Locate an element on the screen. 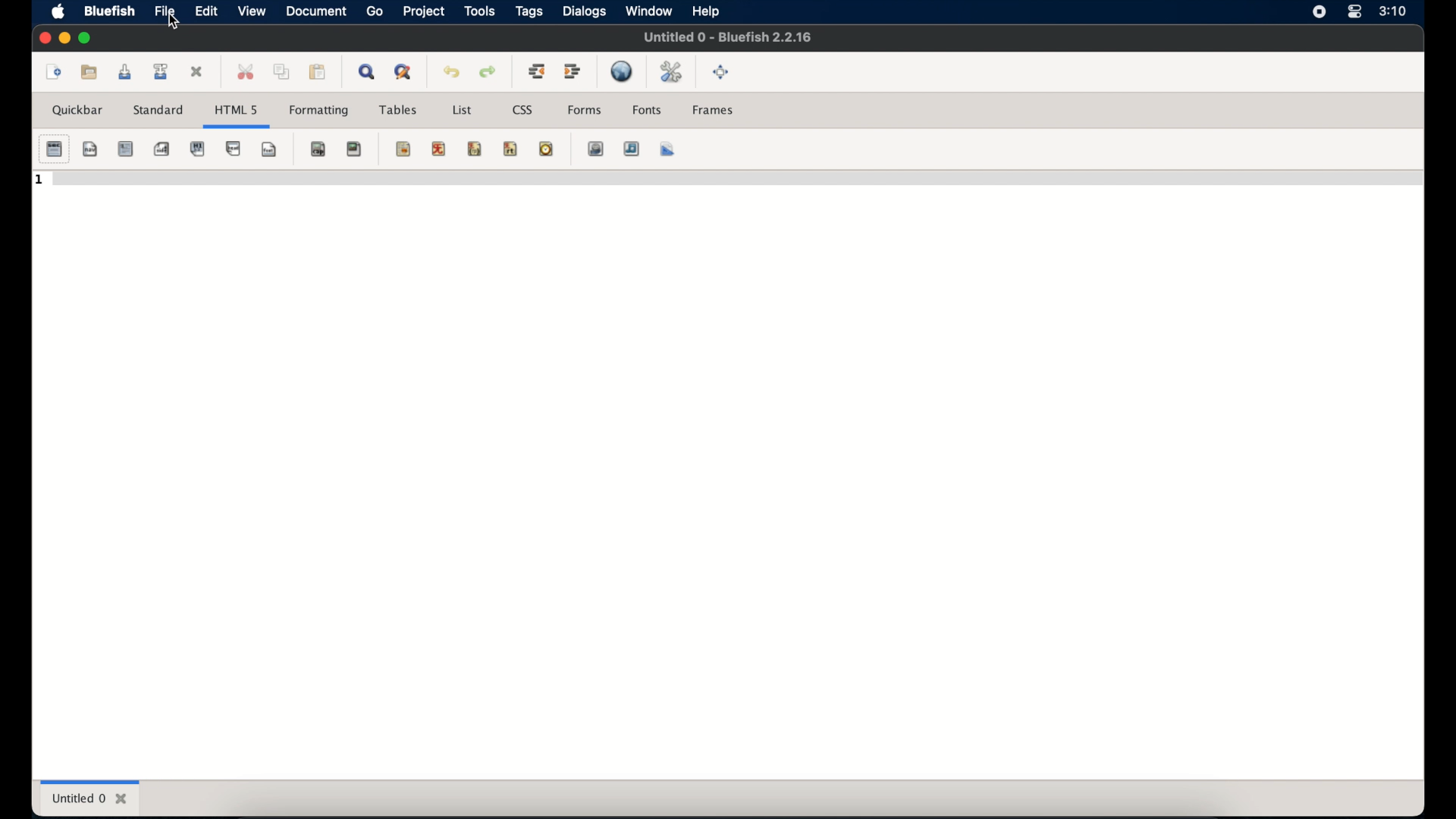 This screenshot has height=819, width=1456. mark is located at coordinates (404, 149).